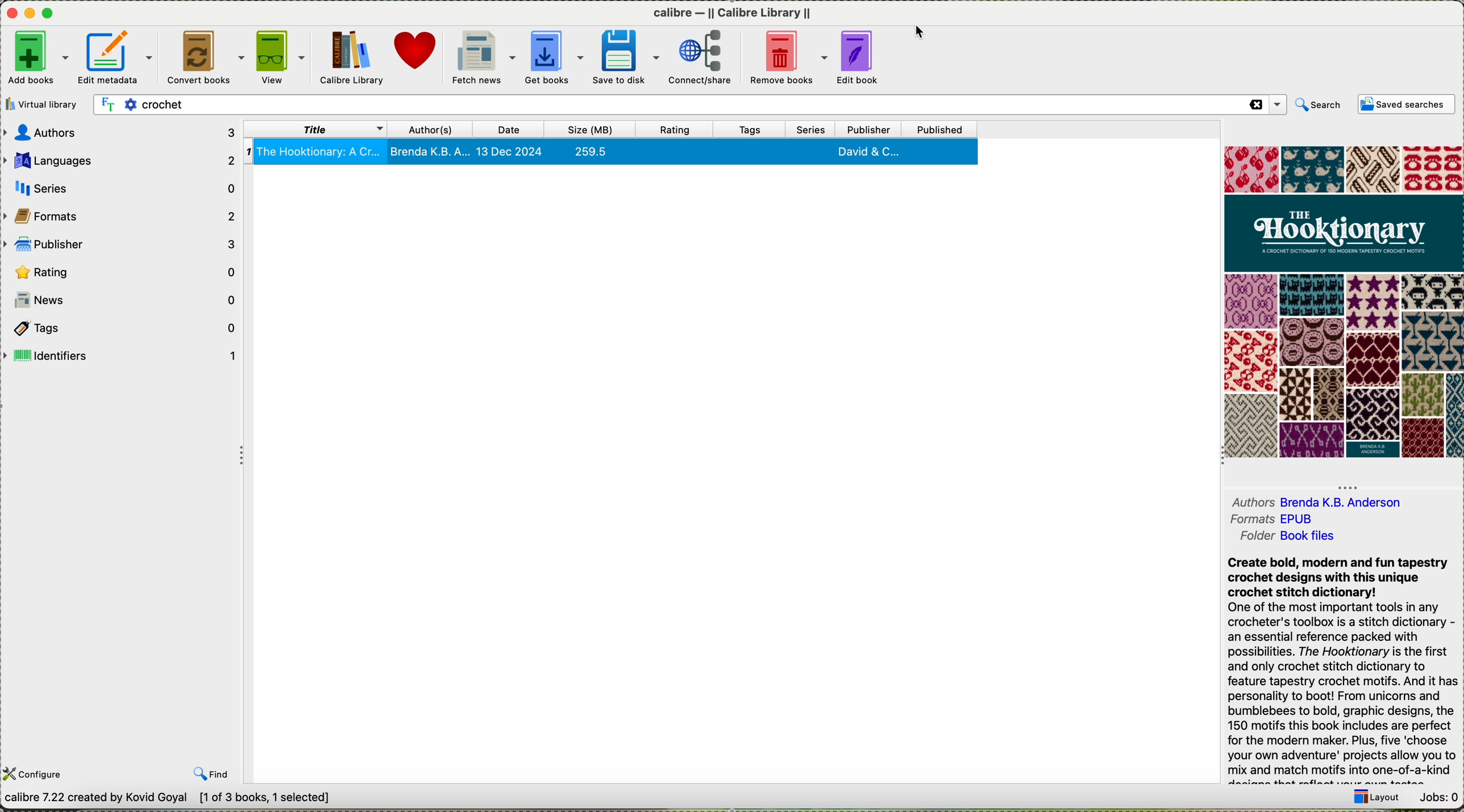 Image resolution: width=1464 pixels, height=812 pixels. Describe the element at coordinates (48, 14) in the screenshot. I see `maximize` at that location.